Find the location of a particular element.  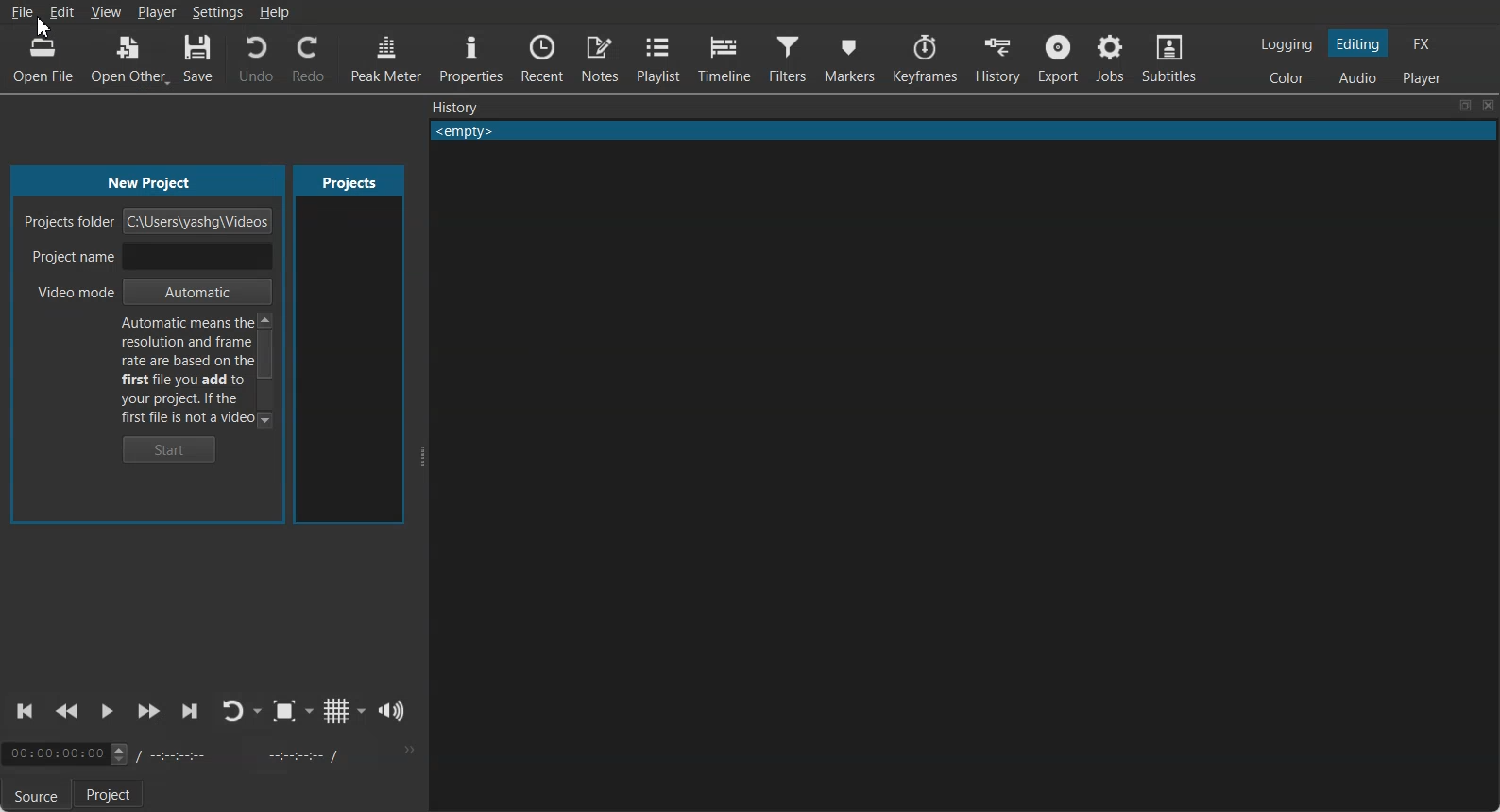

Drop down box is located at coordinates (259, 711).